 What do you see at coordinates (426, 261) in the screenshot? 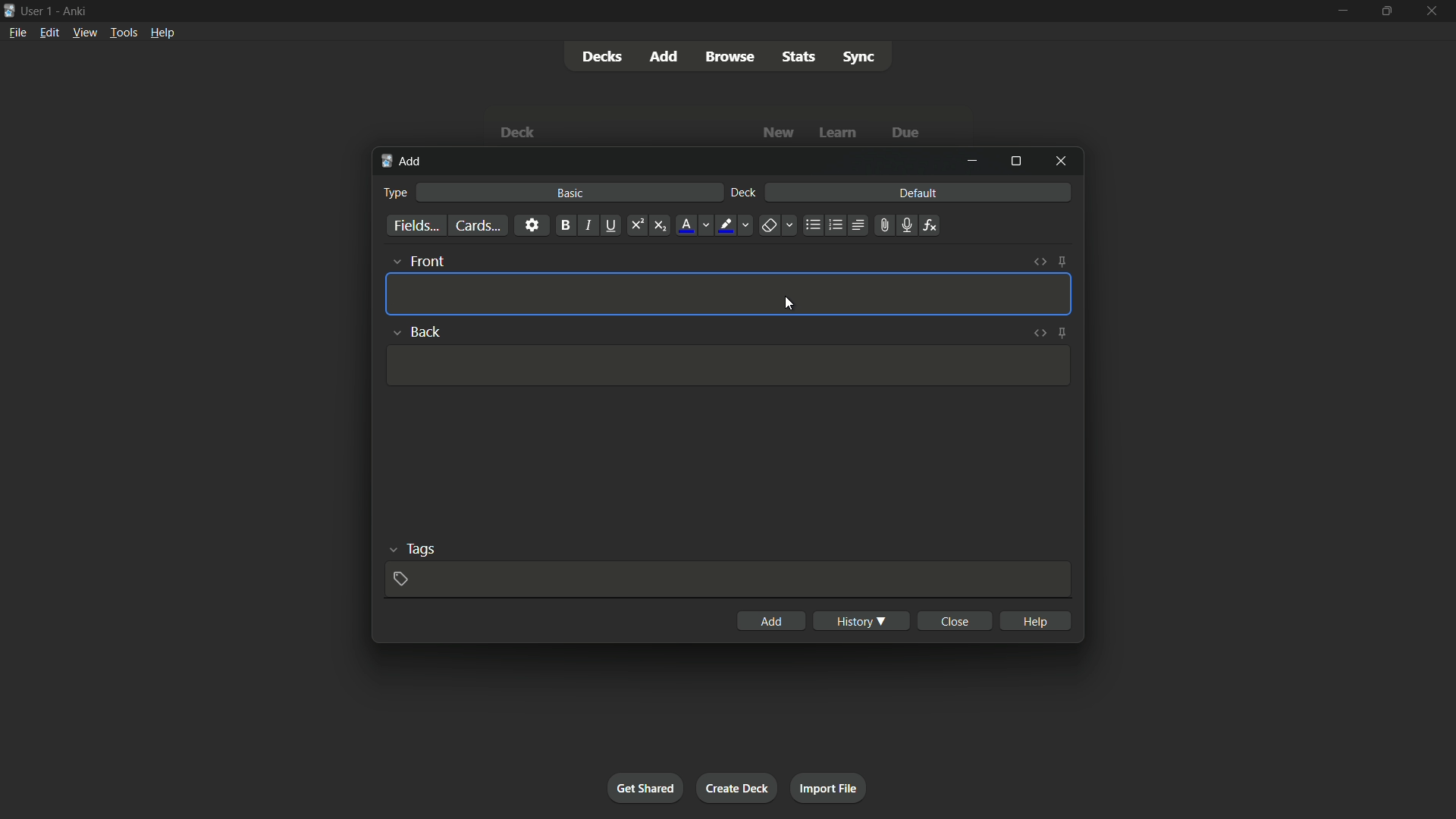
I see `front` at bounding box center [426, 261].